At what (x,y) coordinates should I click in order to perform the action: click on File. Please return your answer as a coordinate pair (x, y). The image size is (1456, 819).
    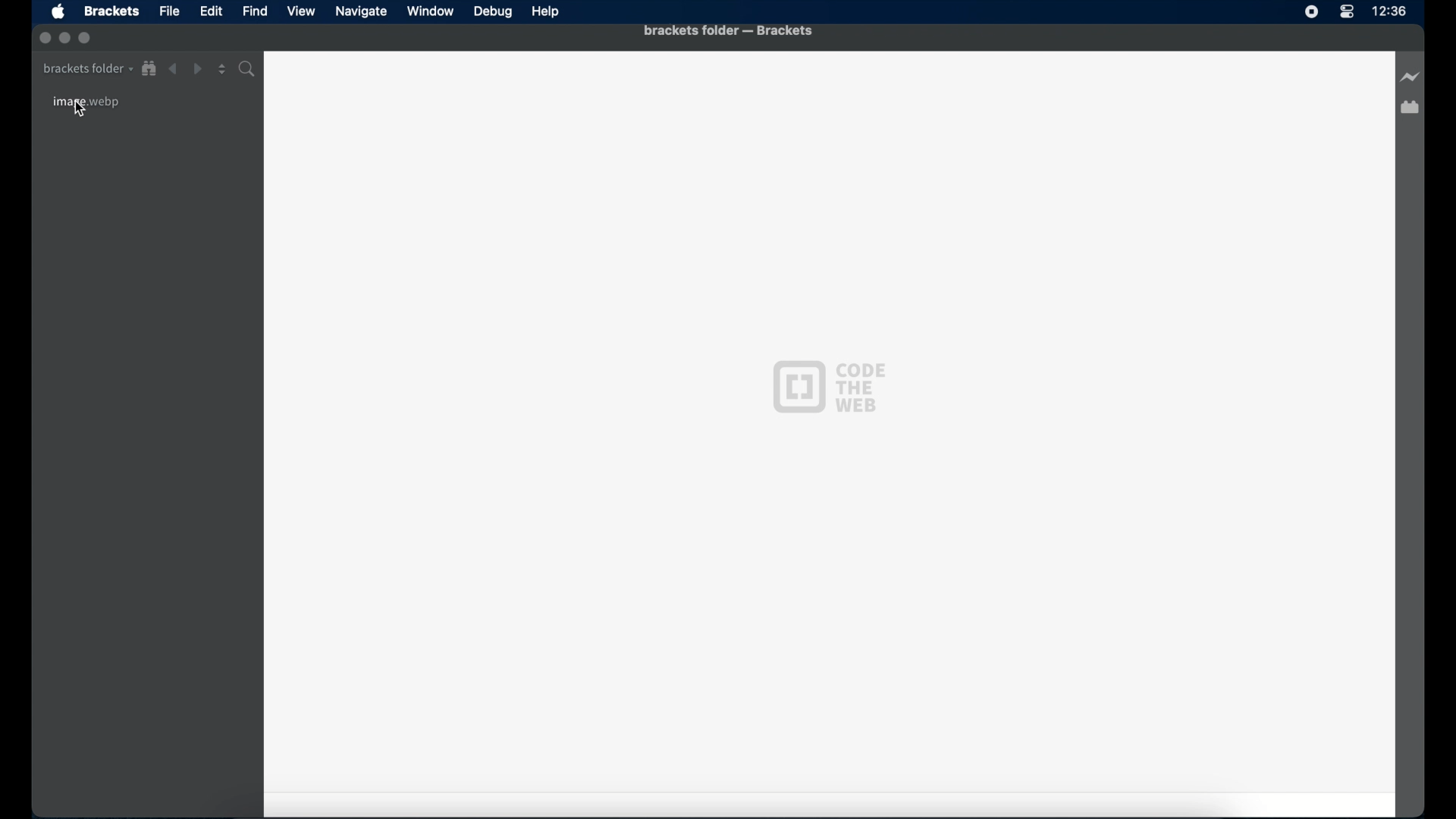
    Looking at the image, I should click on (173, 13).